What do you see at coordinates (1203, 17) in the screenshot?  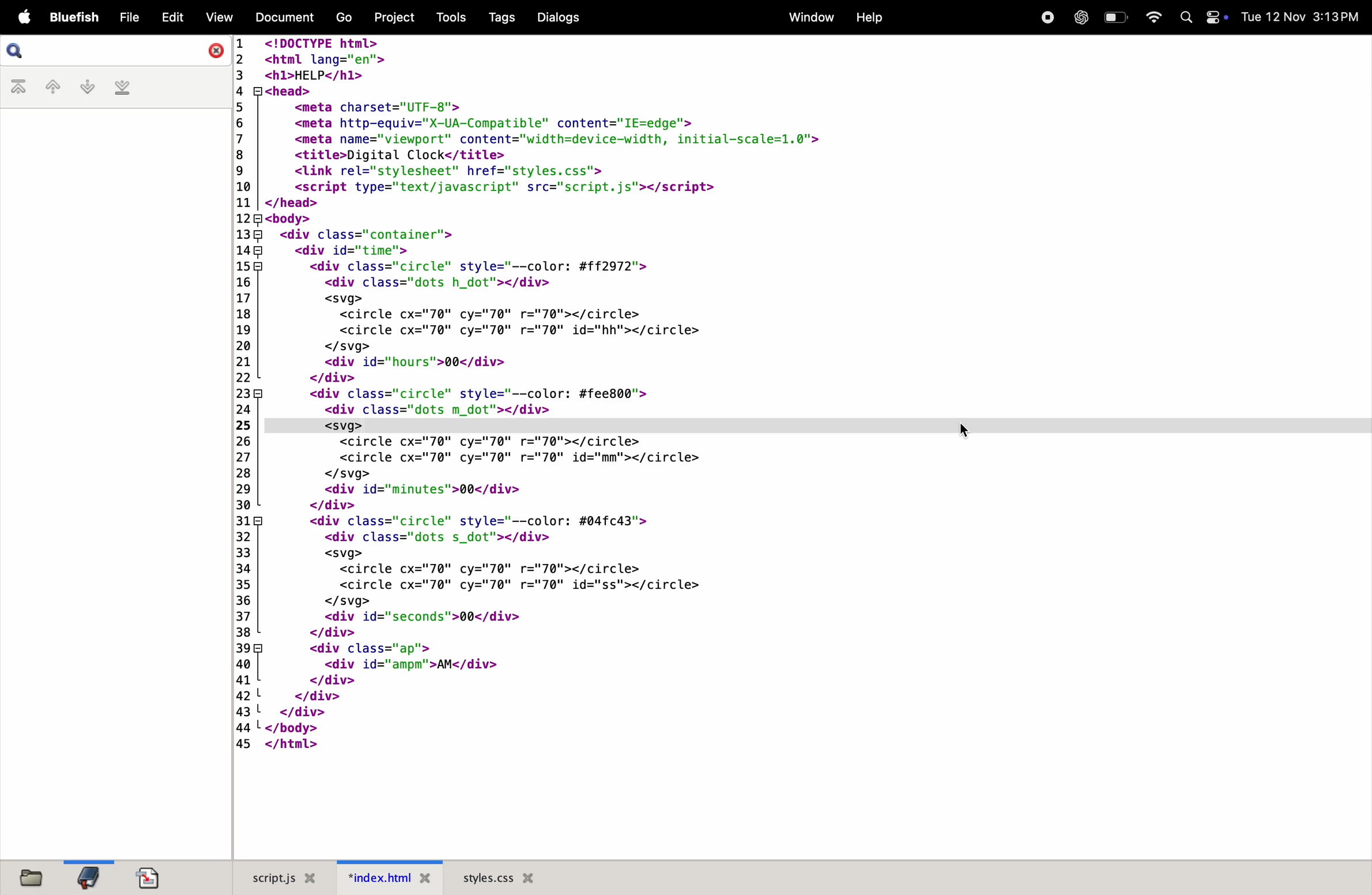 I see `apple widgets` at bounding box center [1203, 17].